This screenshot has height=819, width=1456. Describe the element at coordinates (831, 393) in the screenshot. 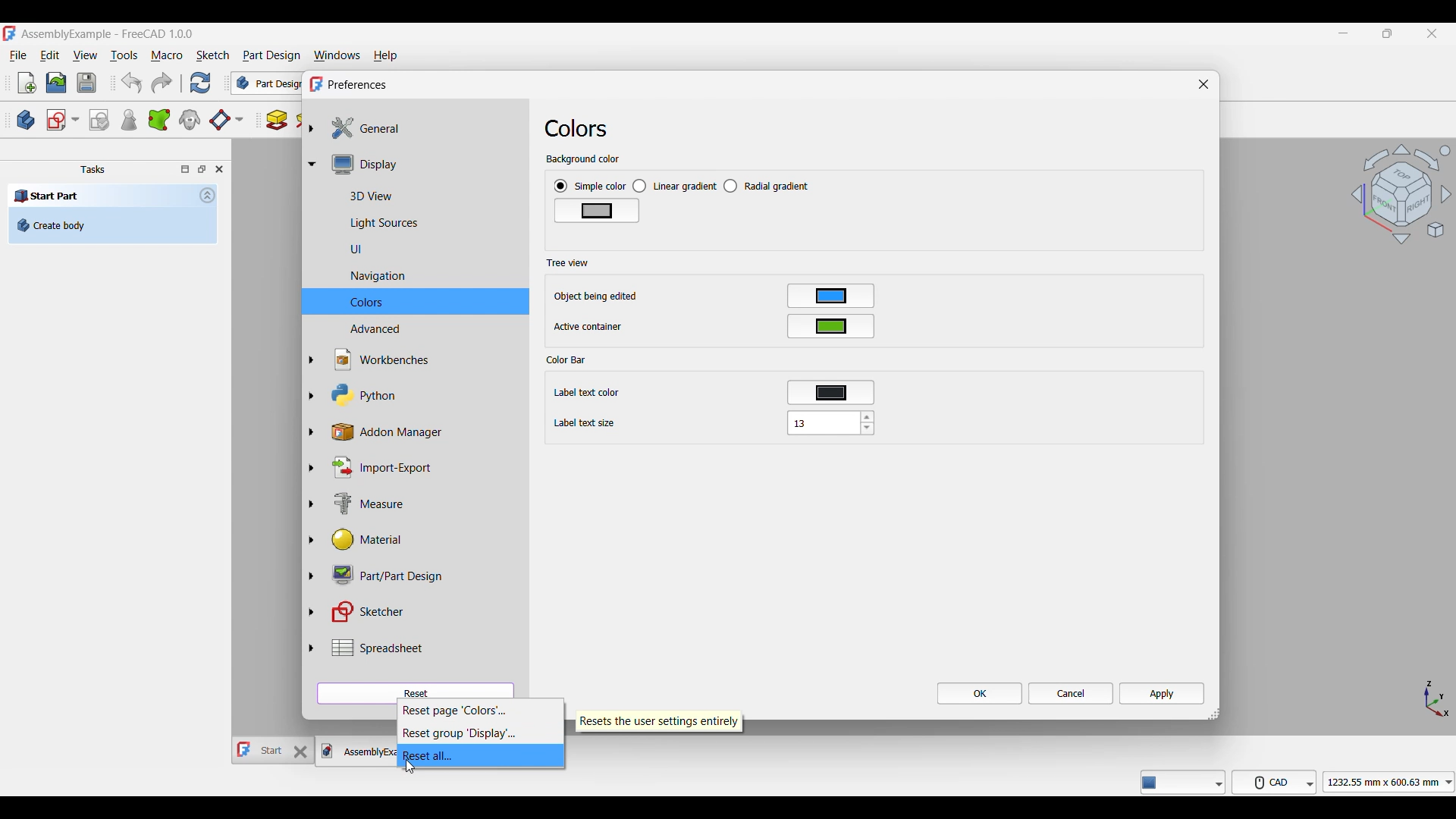

I see `Color settings for label text color` at that location.